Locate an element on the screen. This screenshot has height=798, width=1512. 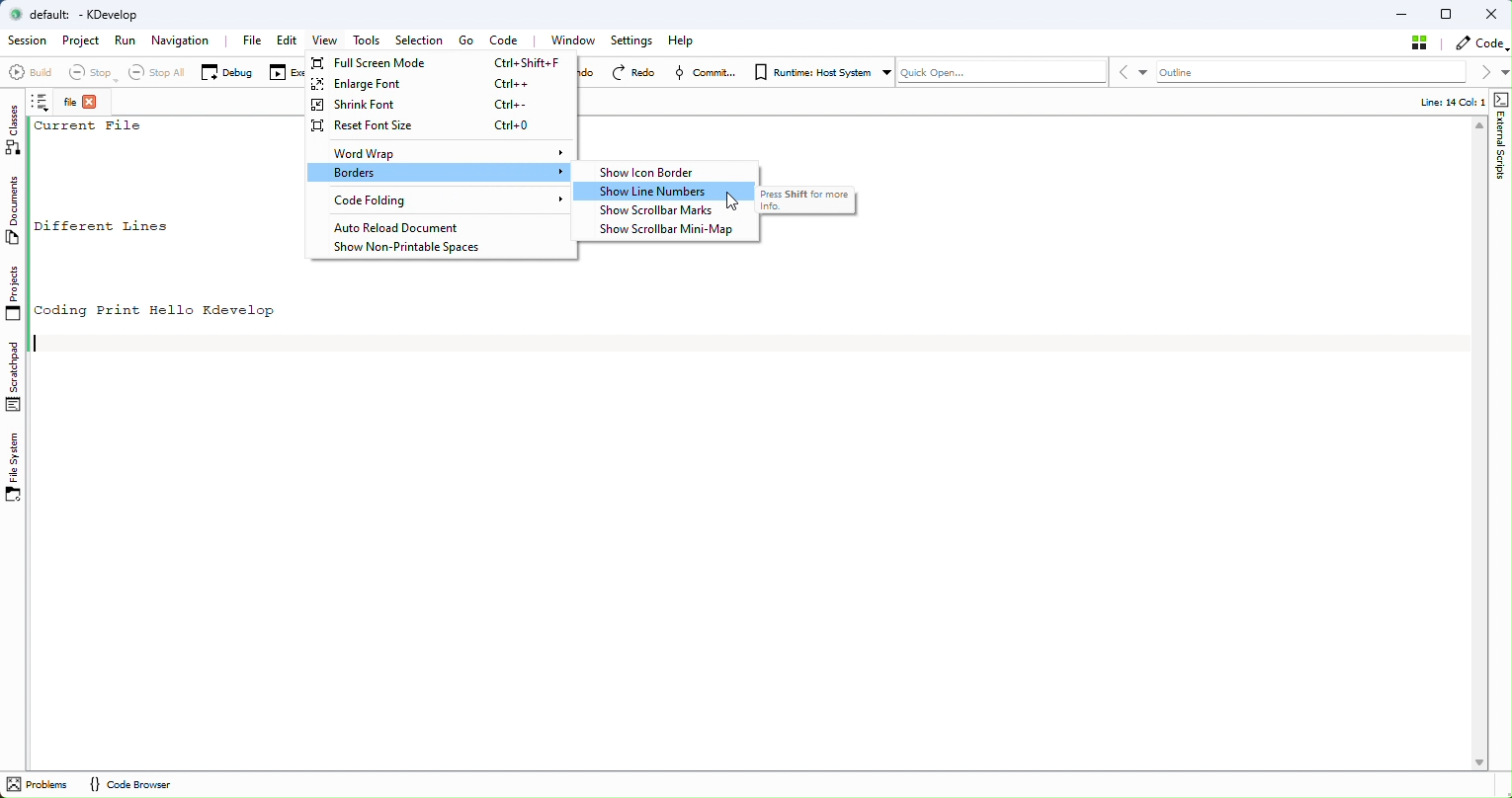
Stachpad is located at coordinates (15, 376).